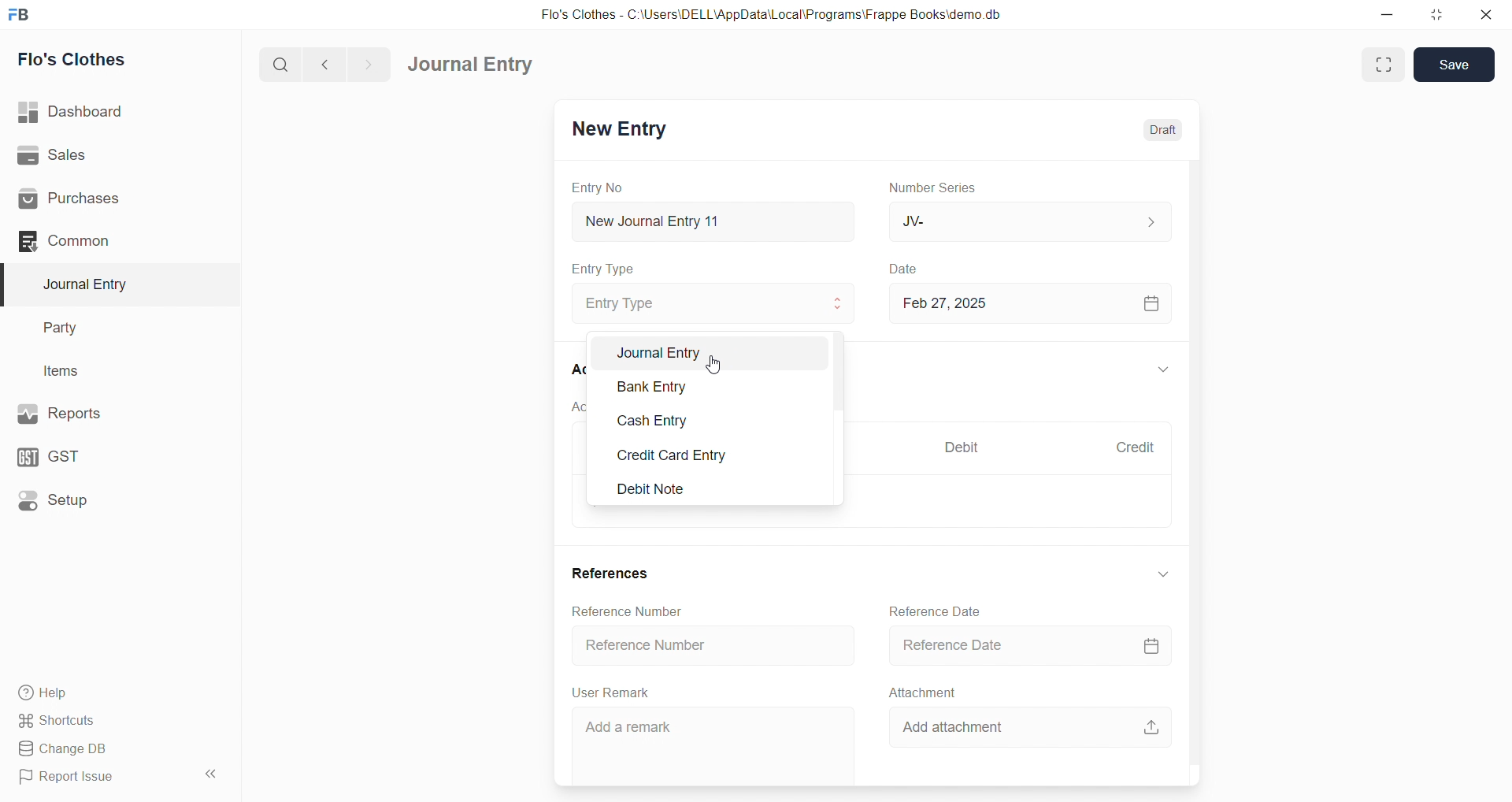 The height and width of the screenshot is (802, 1512). I want to click on Change DB, so click(98, 748).